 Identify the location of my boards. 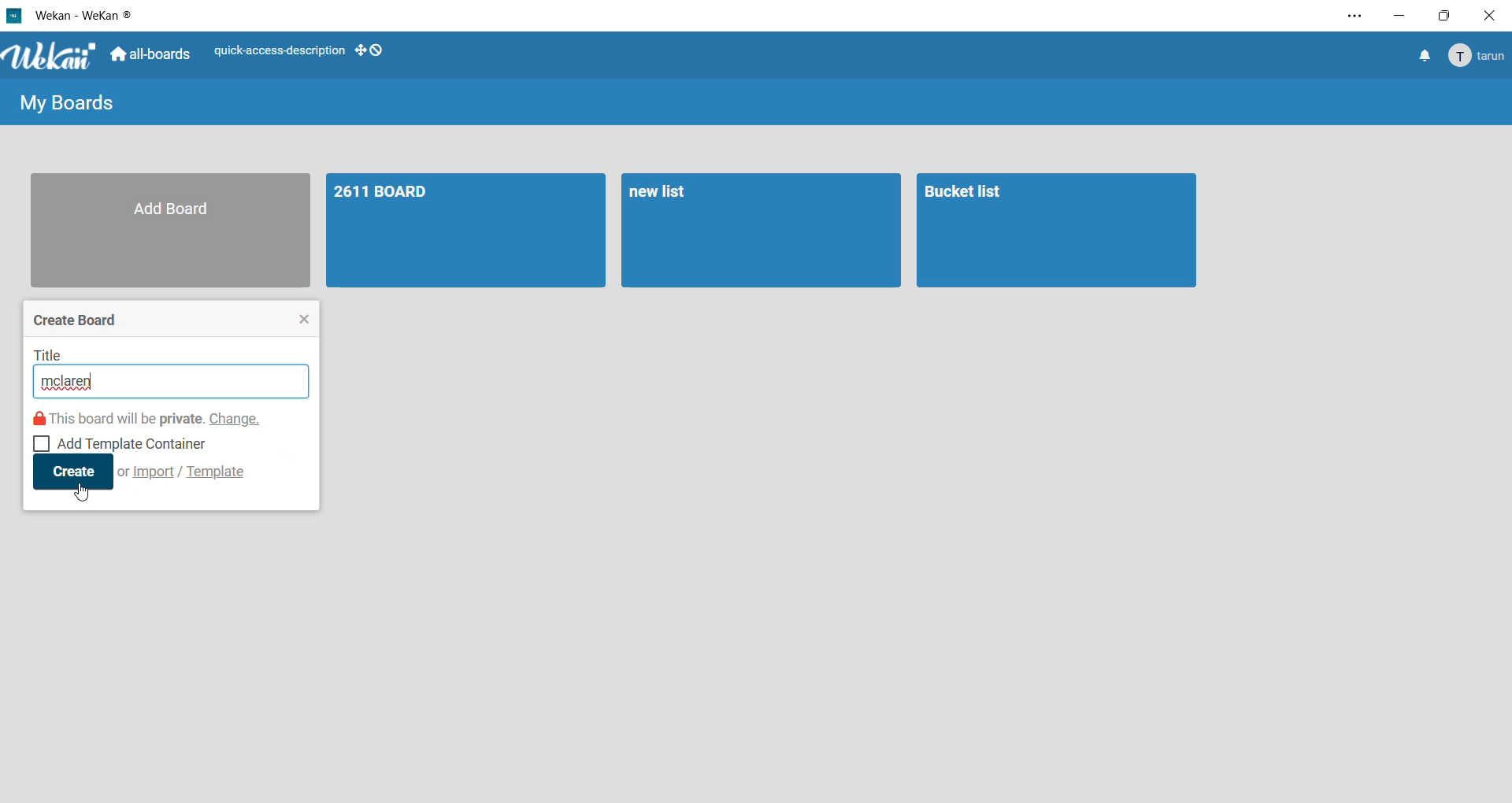
(67, 102).